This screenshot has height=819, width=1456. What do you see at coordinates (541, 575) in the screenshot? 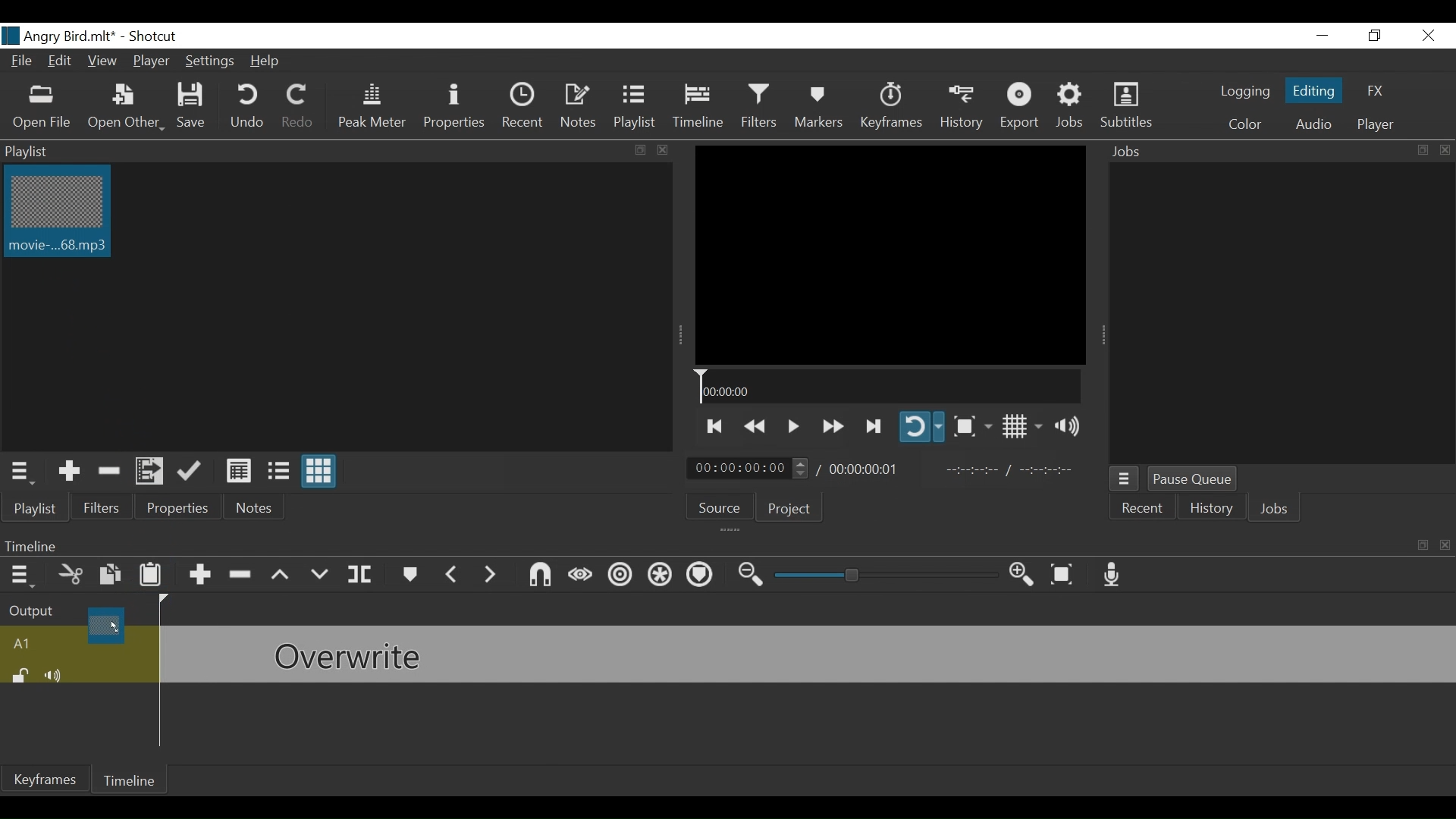
I see `Snap` at bounding box center [541, 575].